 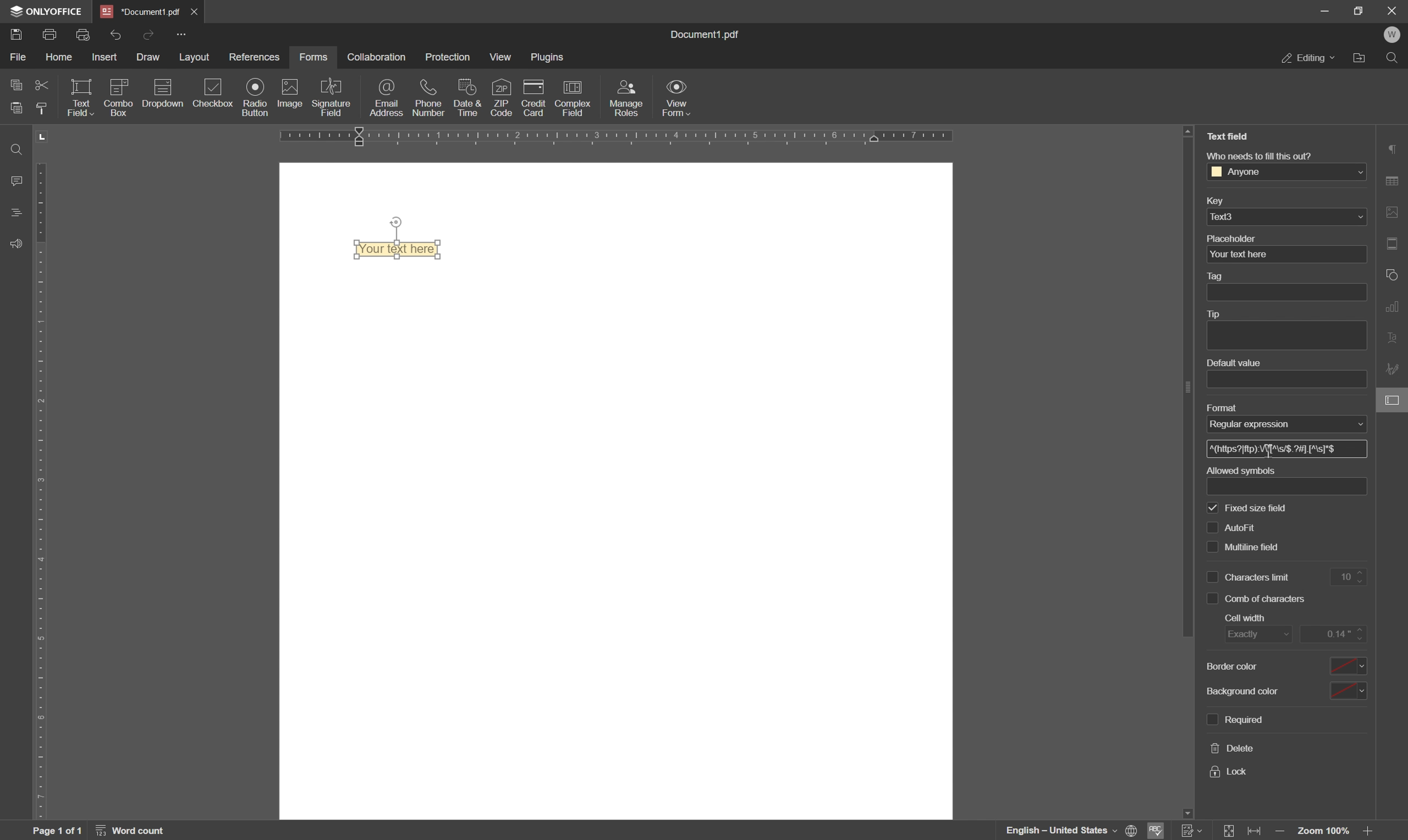 What do you see at coordinates (1395, 180) in the screenshot?
I see `table settings` at bounding box center [1395, 180].